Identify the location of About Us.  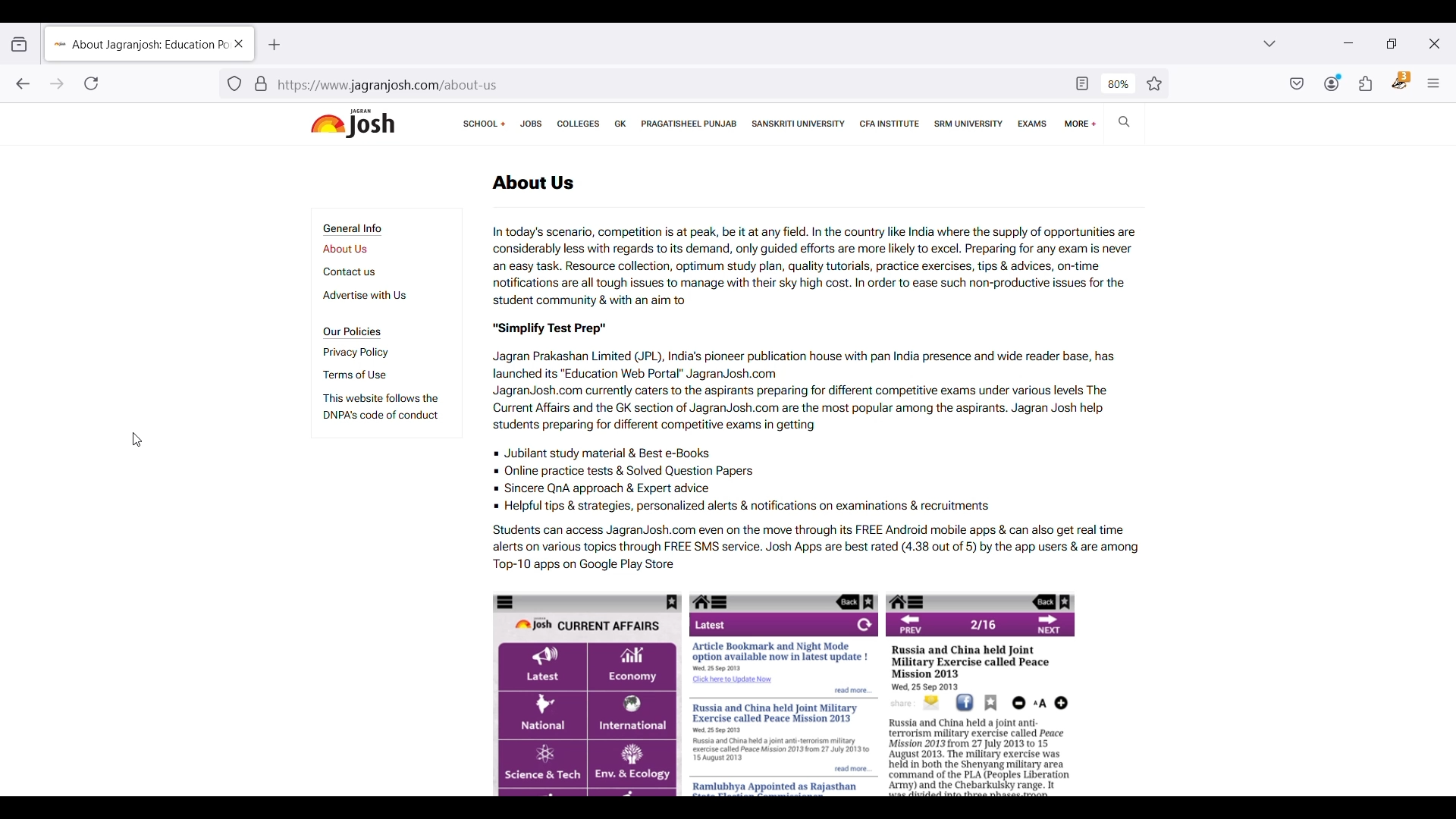
(543, 184).